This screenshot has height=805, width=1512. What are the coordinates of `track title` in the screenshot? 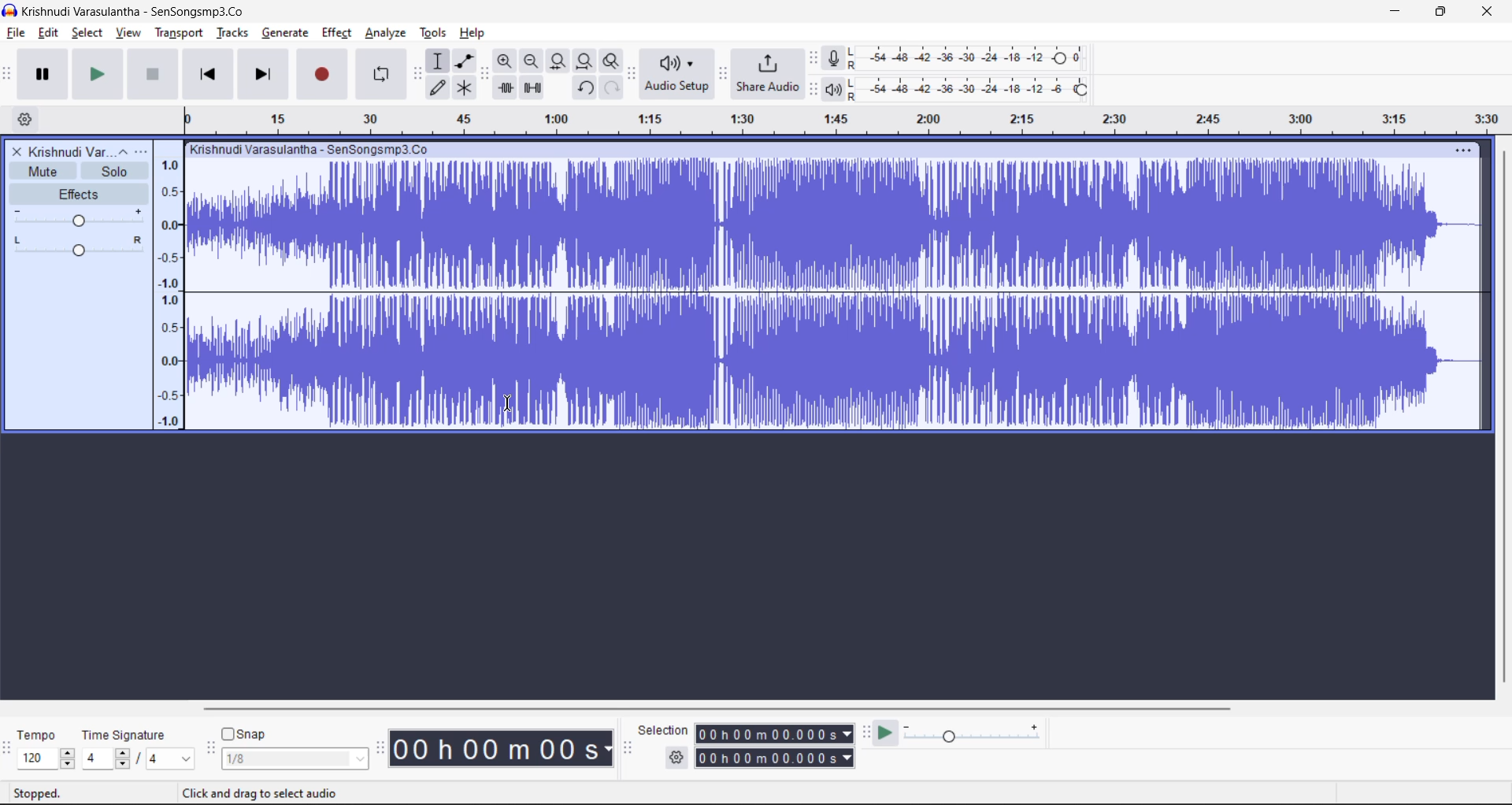 It's located at (70, 152).